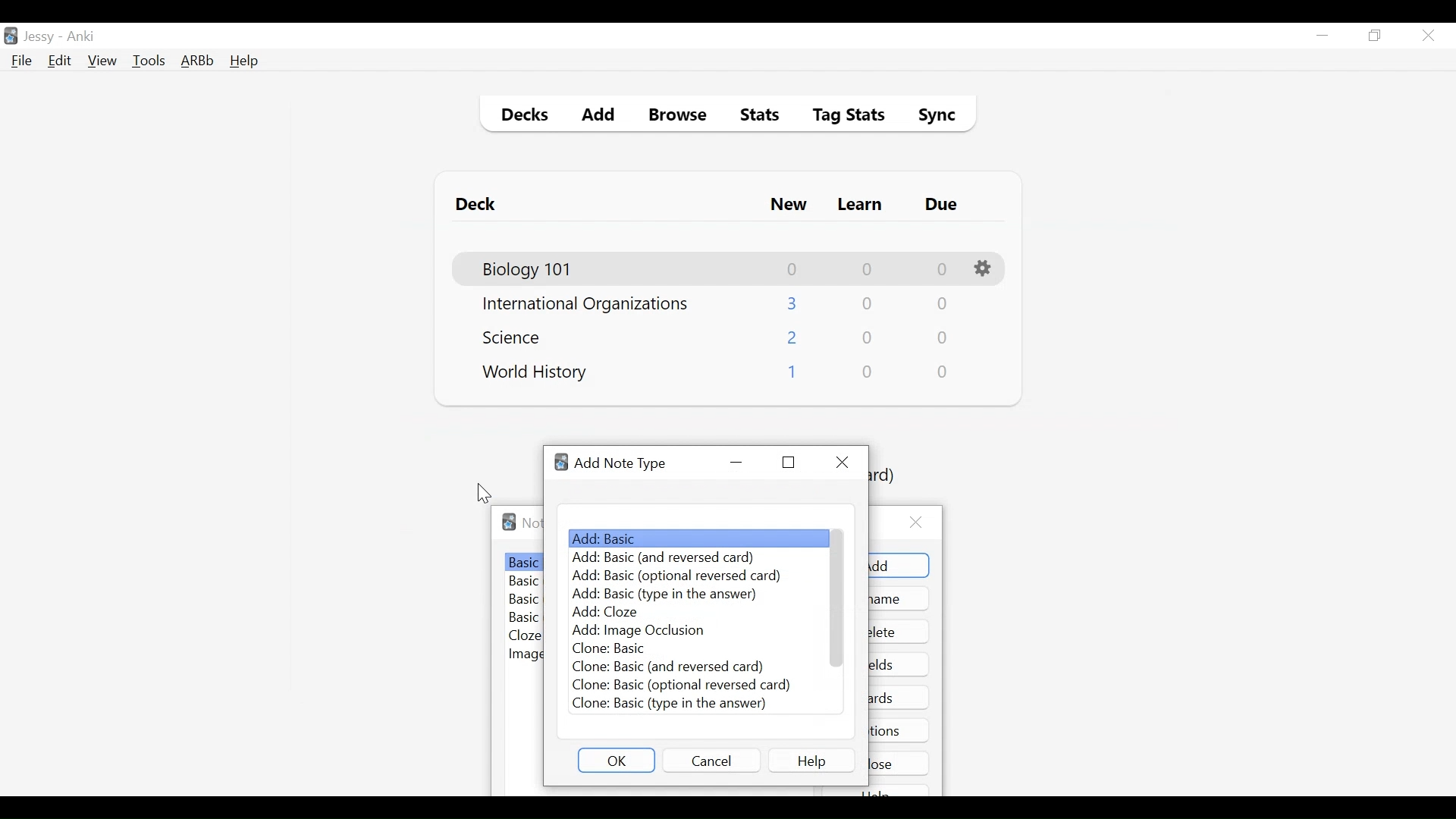 This screenshot has width=1456, height=819. Describe the element at coordinates (789, 206) in the screenshot. I see `New` at that location.